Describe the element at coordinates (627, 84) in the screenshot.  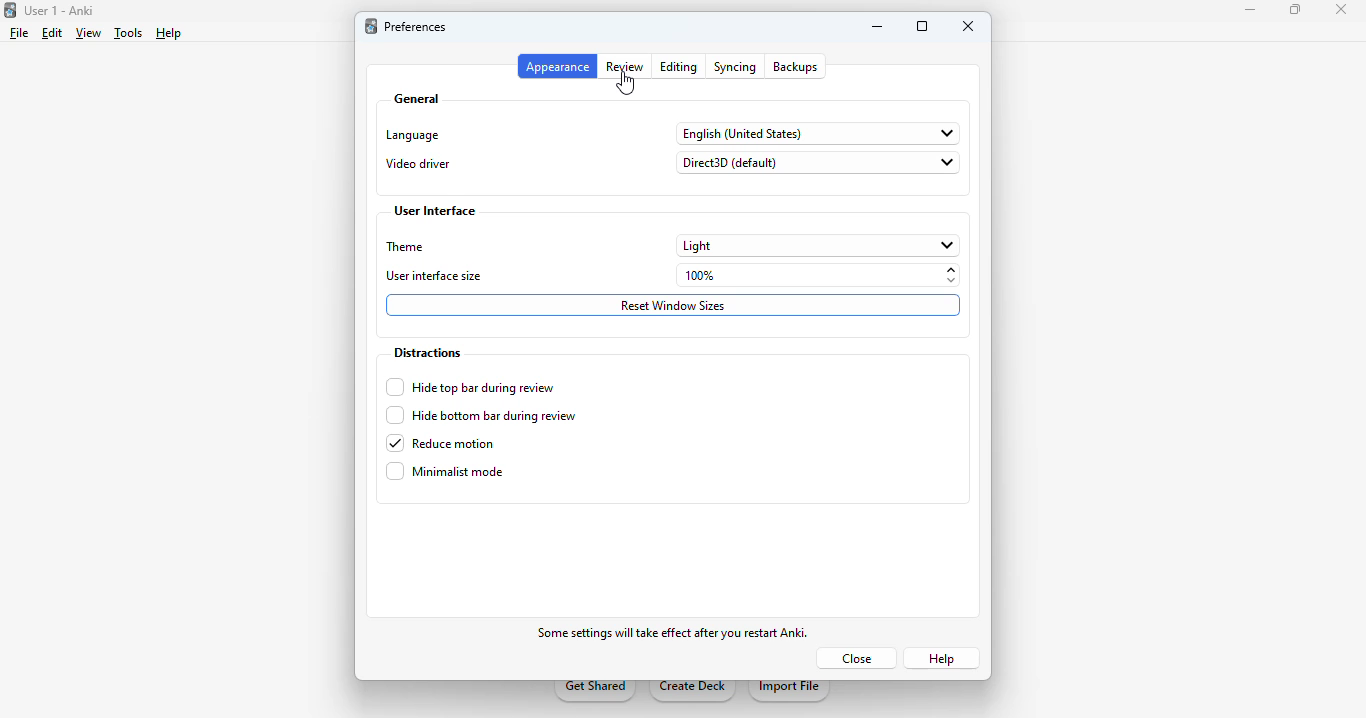
I see `cursor` at that location.